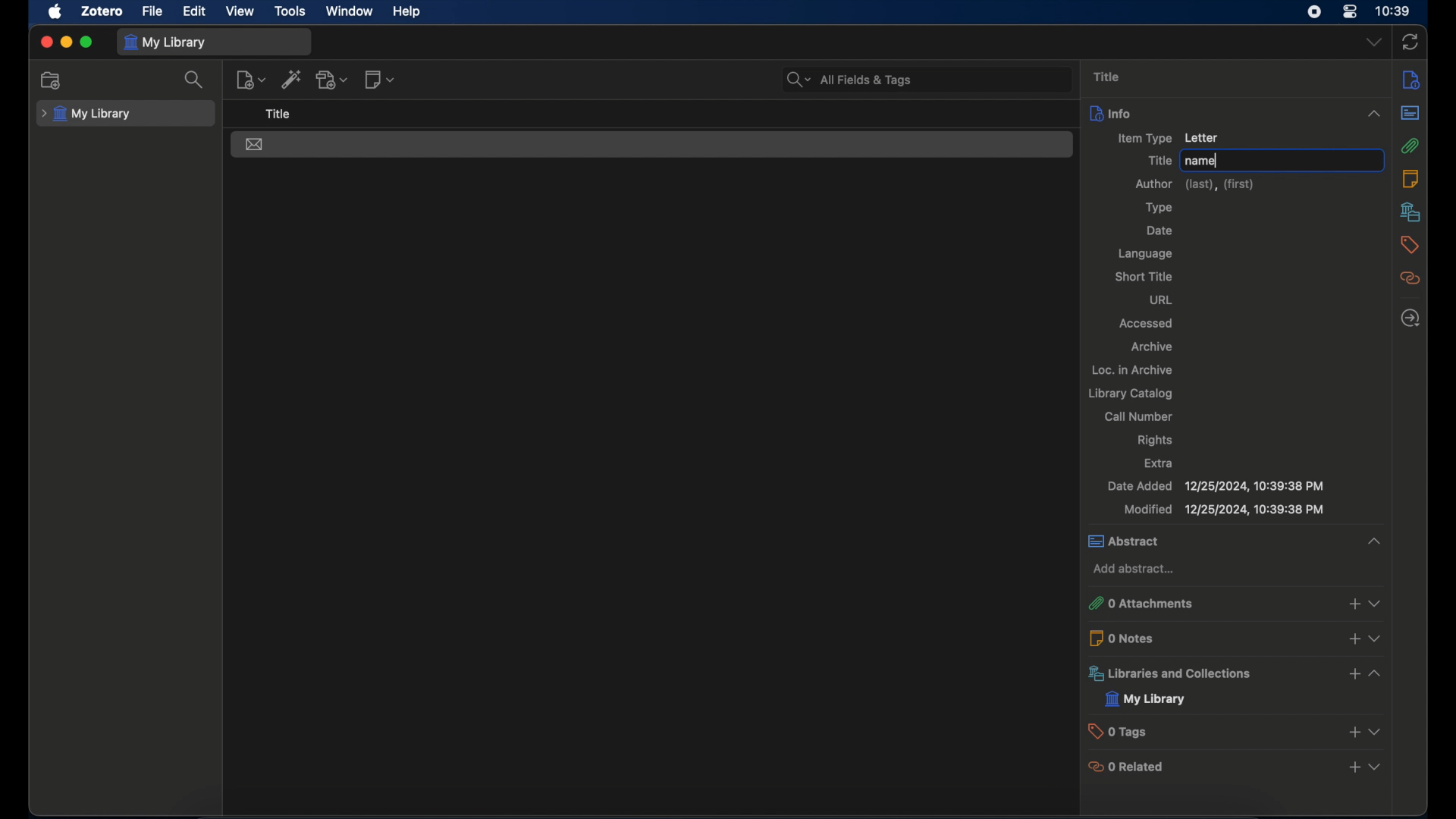 The image size is (1456, 819). What do you see at coordinates (1148, 323) in the screenshot?
I see `accessed` at bounding box center [1148, 323].